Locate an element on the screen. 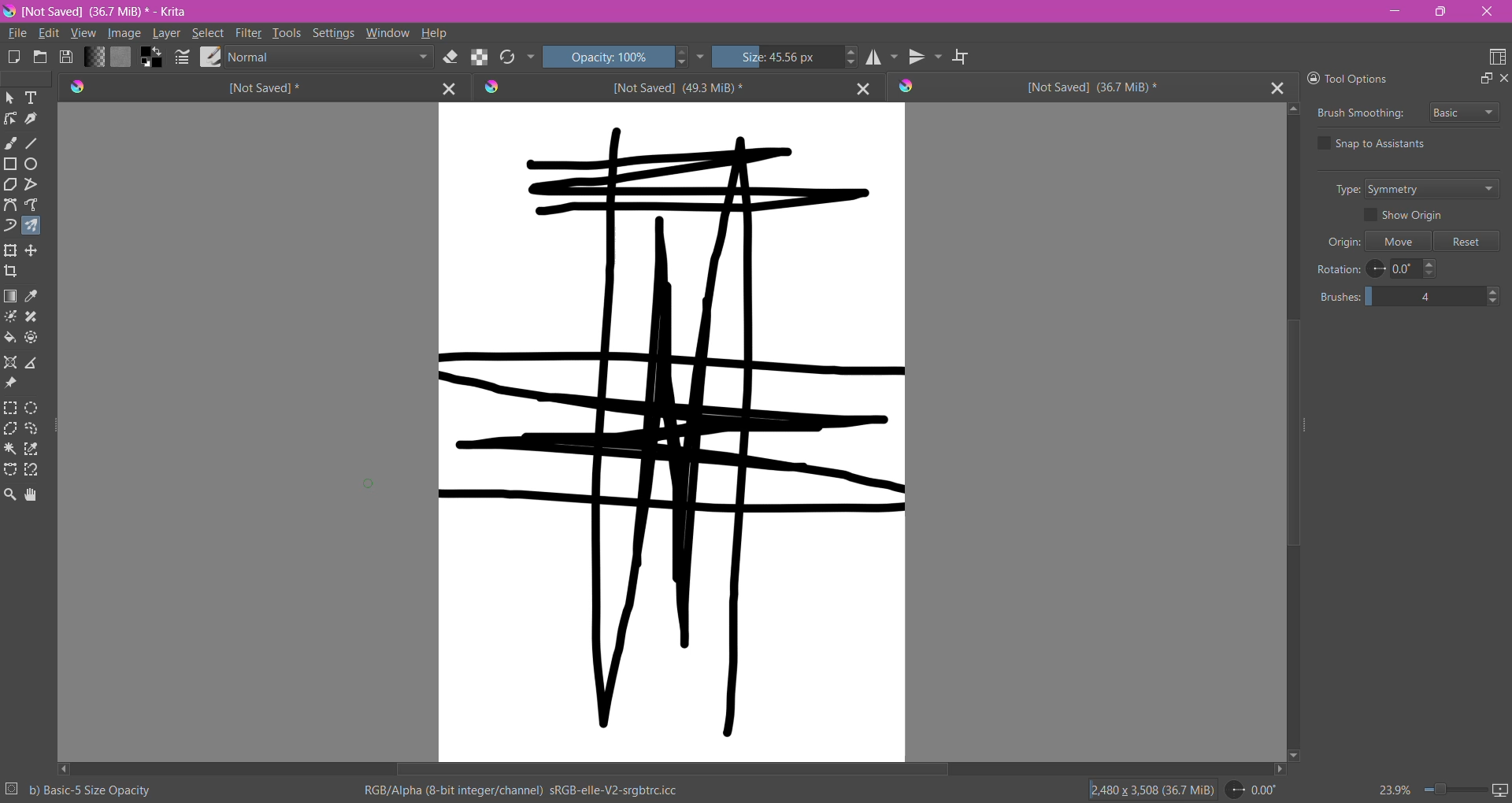 The height and width of the screenshot is (803, 1512). Color Space is located at coordinates (521, 790).